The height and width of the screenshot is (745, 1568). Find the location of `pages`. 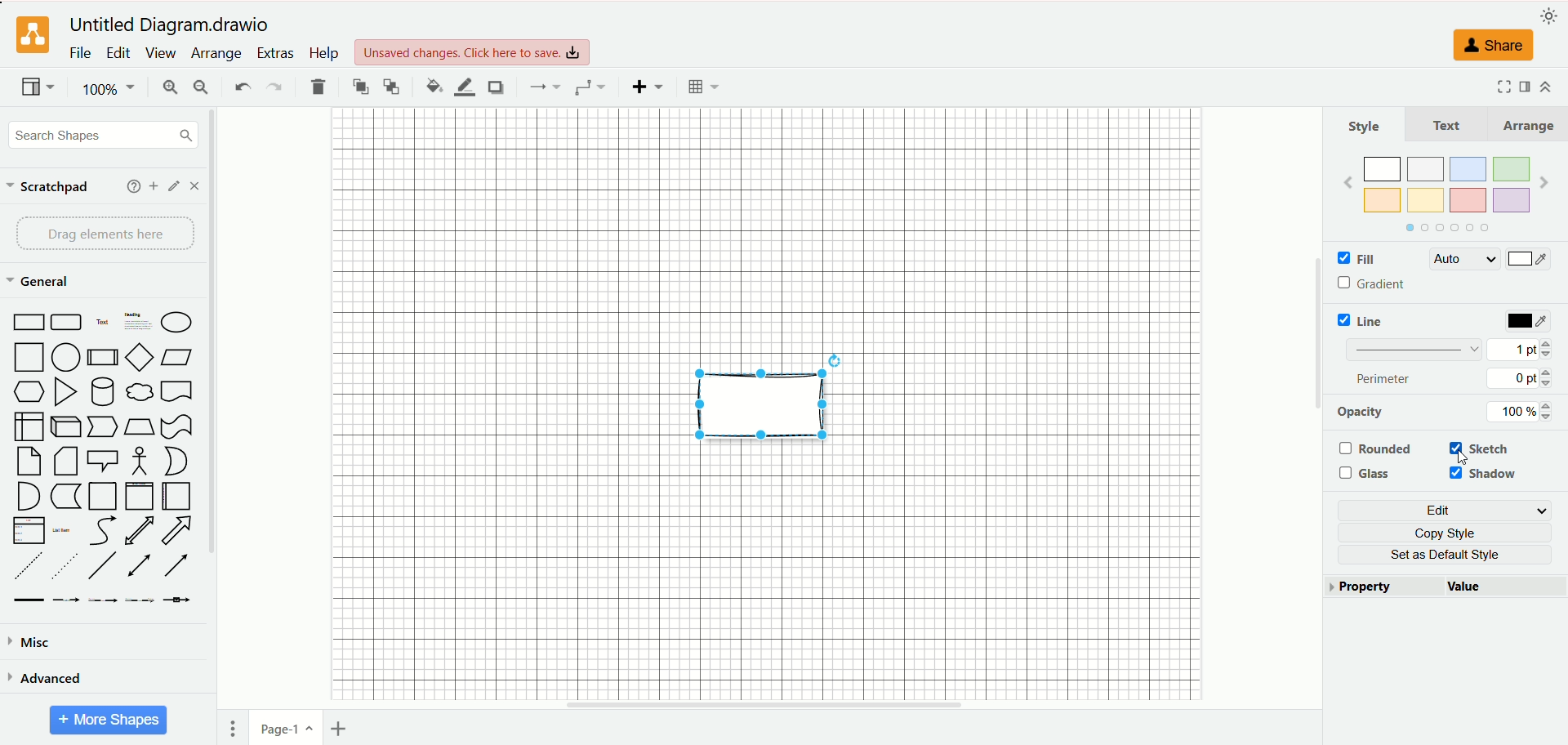

pages is located at coordinates (233, 729).